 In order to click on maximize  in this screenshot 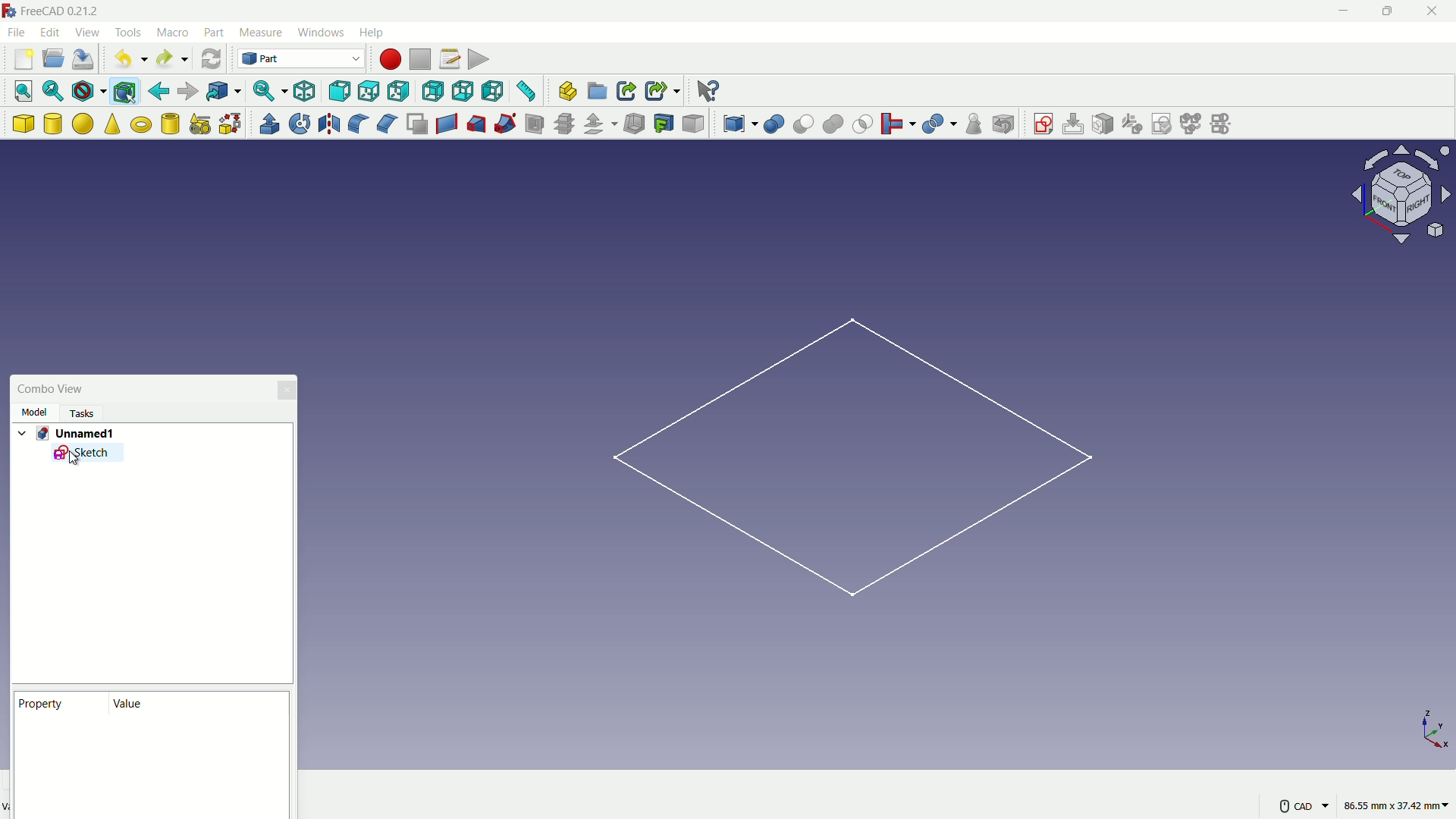, I will do `click(1391, 12)`.